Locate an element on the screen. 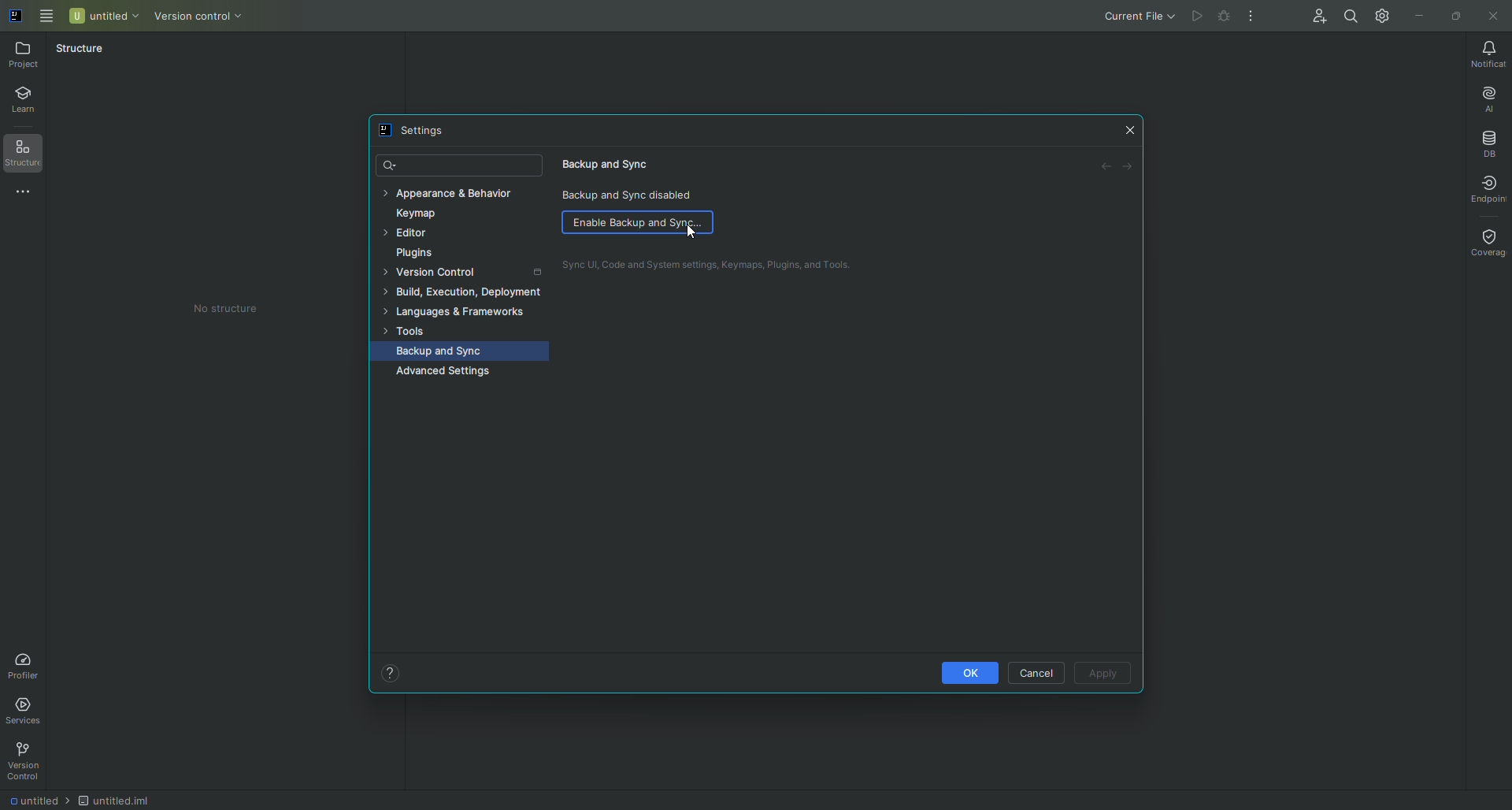 Image resolution: width=1512 pixels, height=810 pixels. More Actions is located at coordinates (1252, 17).